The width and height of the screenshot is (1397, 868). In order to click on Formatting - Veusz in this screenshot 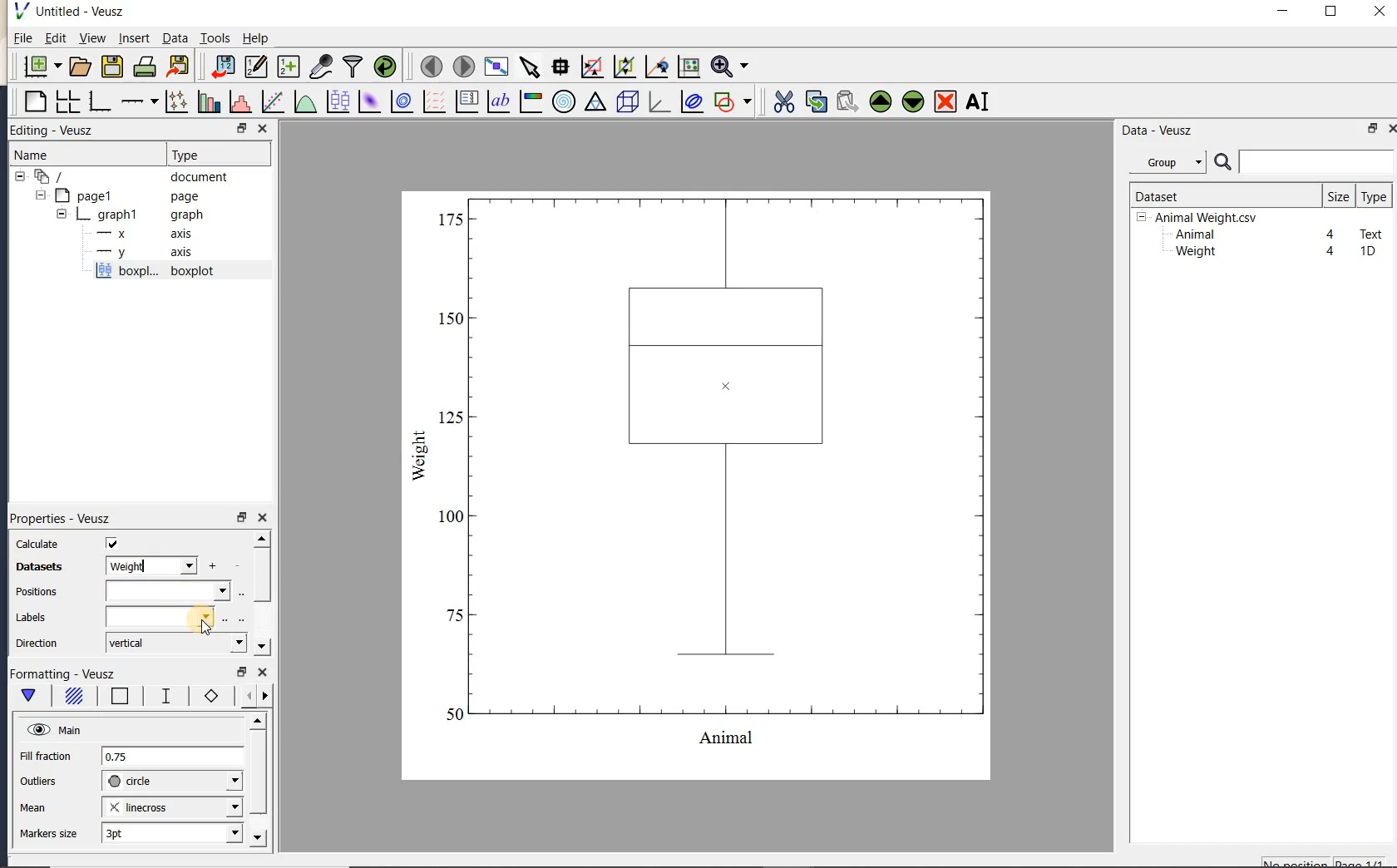, I will do `click(67, 674)`.